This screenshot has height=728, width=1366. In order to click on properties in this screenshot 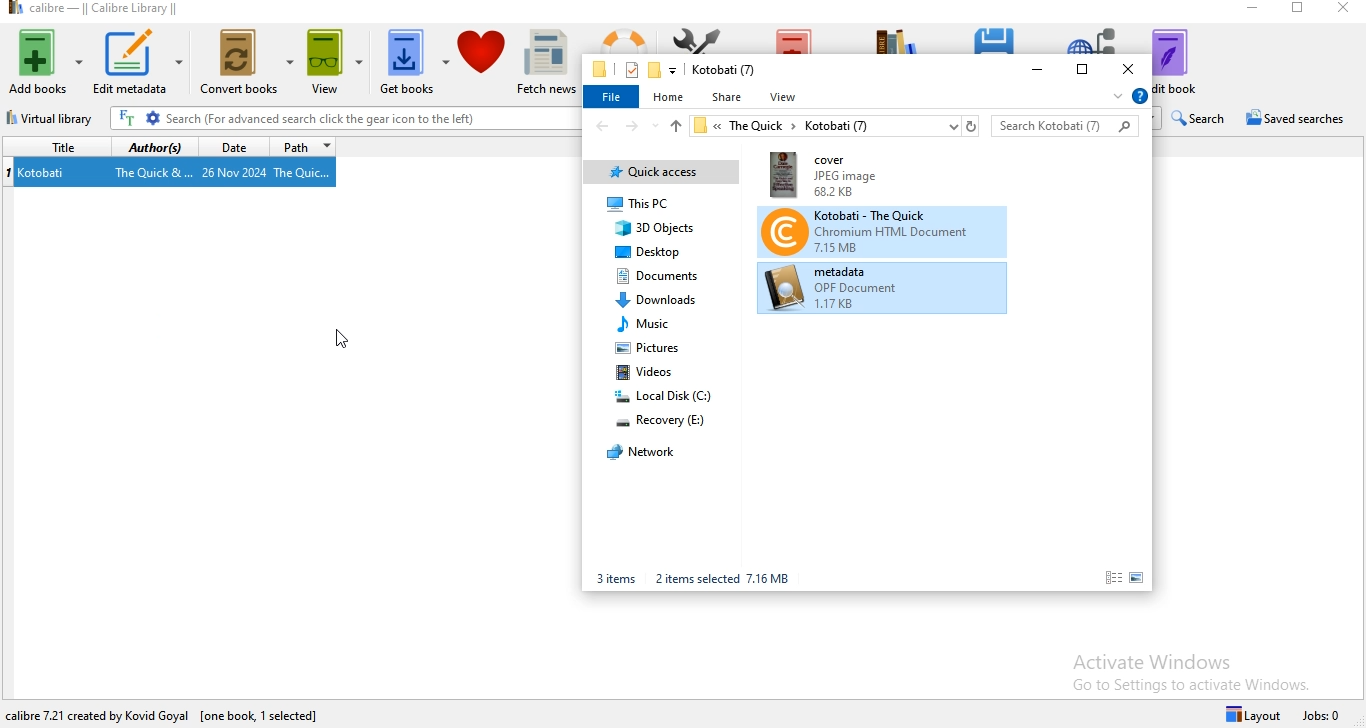, I will do `click(630, 70)`.